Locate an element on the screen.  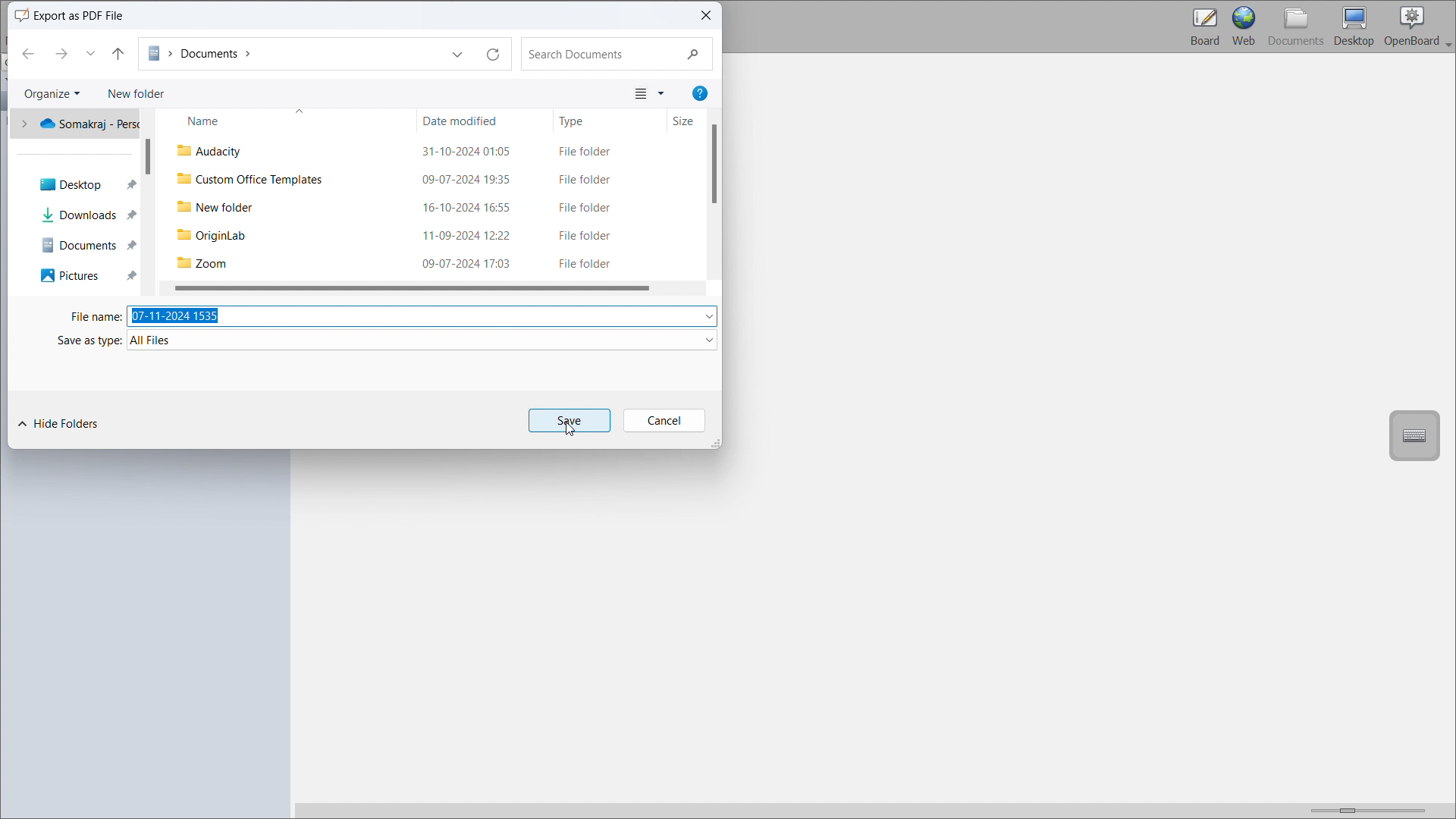
type is located at coordinates (598, 121).